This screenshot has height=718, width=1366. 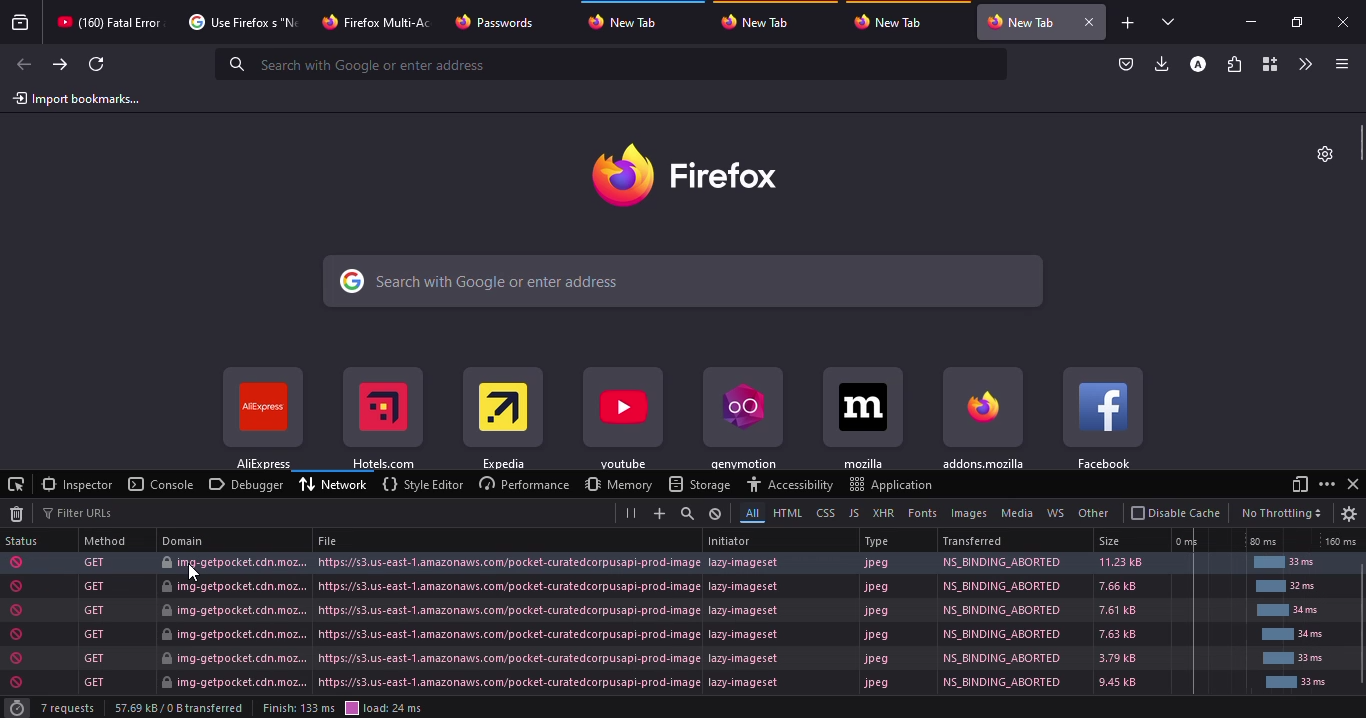 What do you see at coordinates (81, 97) in the screenshot?
I see `import bookmarks` at bounding box center [81, 97].